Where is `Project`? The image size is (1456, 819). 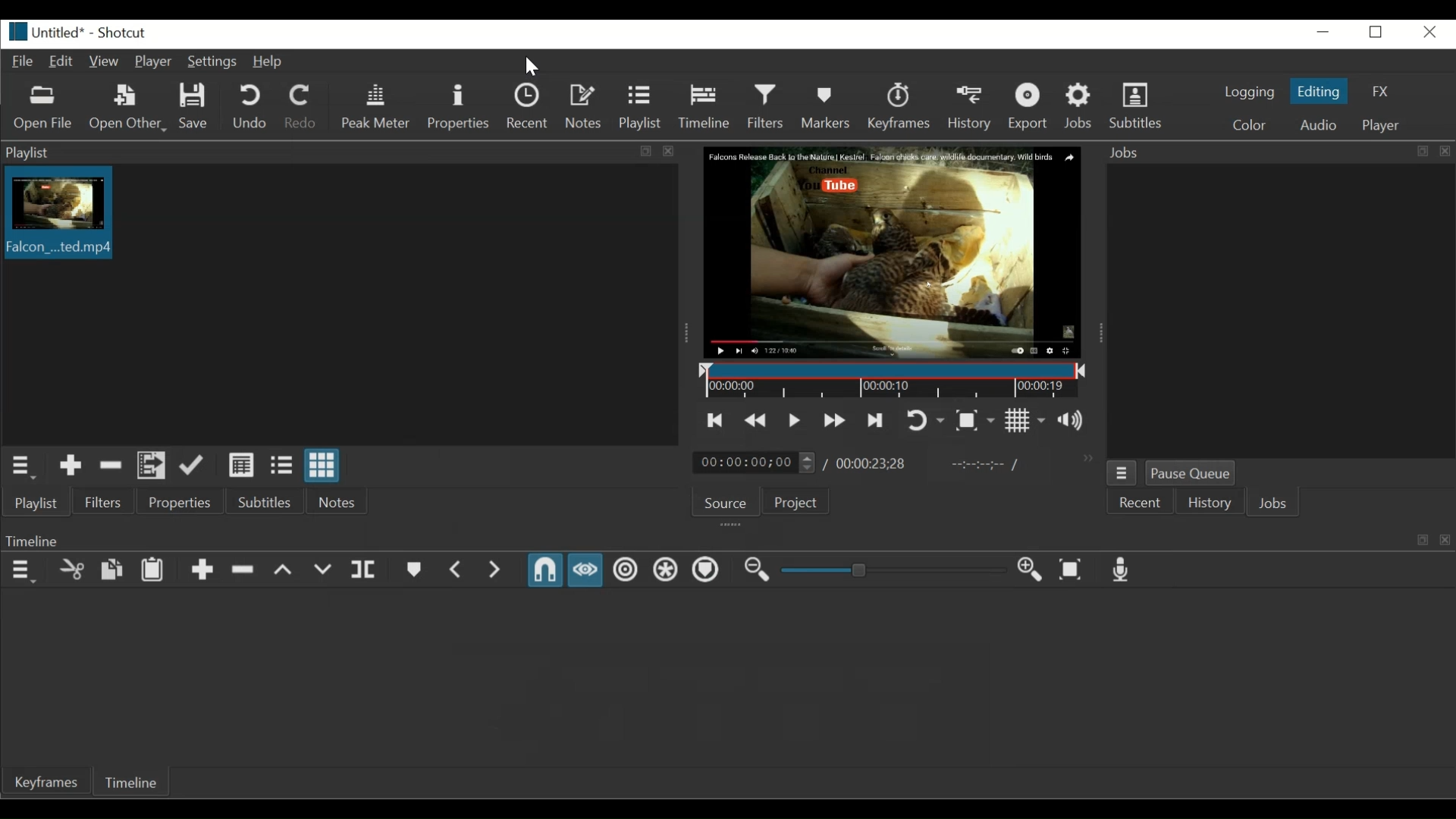 Project is located at coordinates (800, 500).